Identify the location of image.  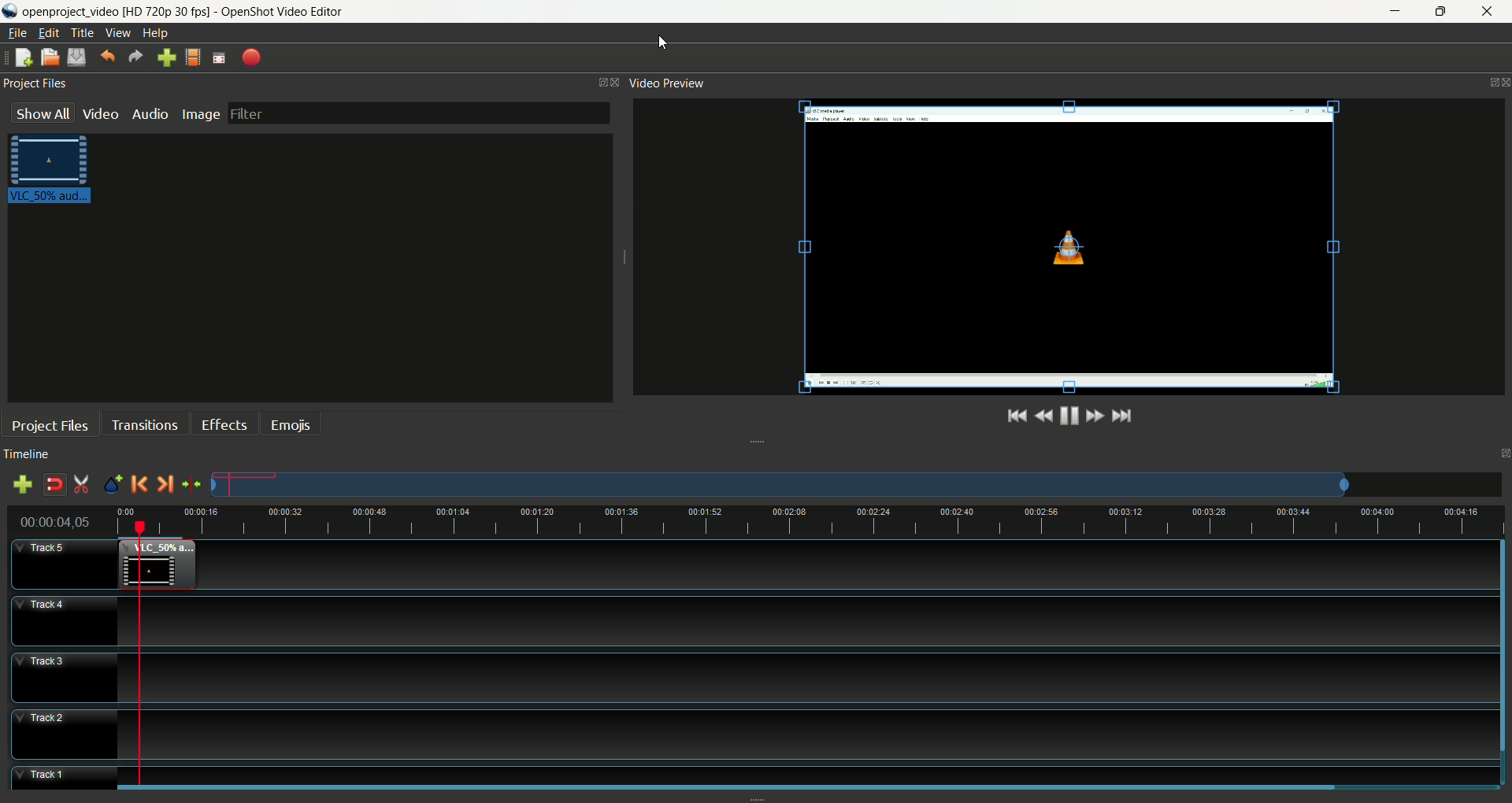
(201, 112).